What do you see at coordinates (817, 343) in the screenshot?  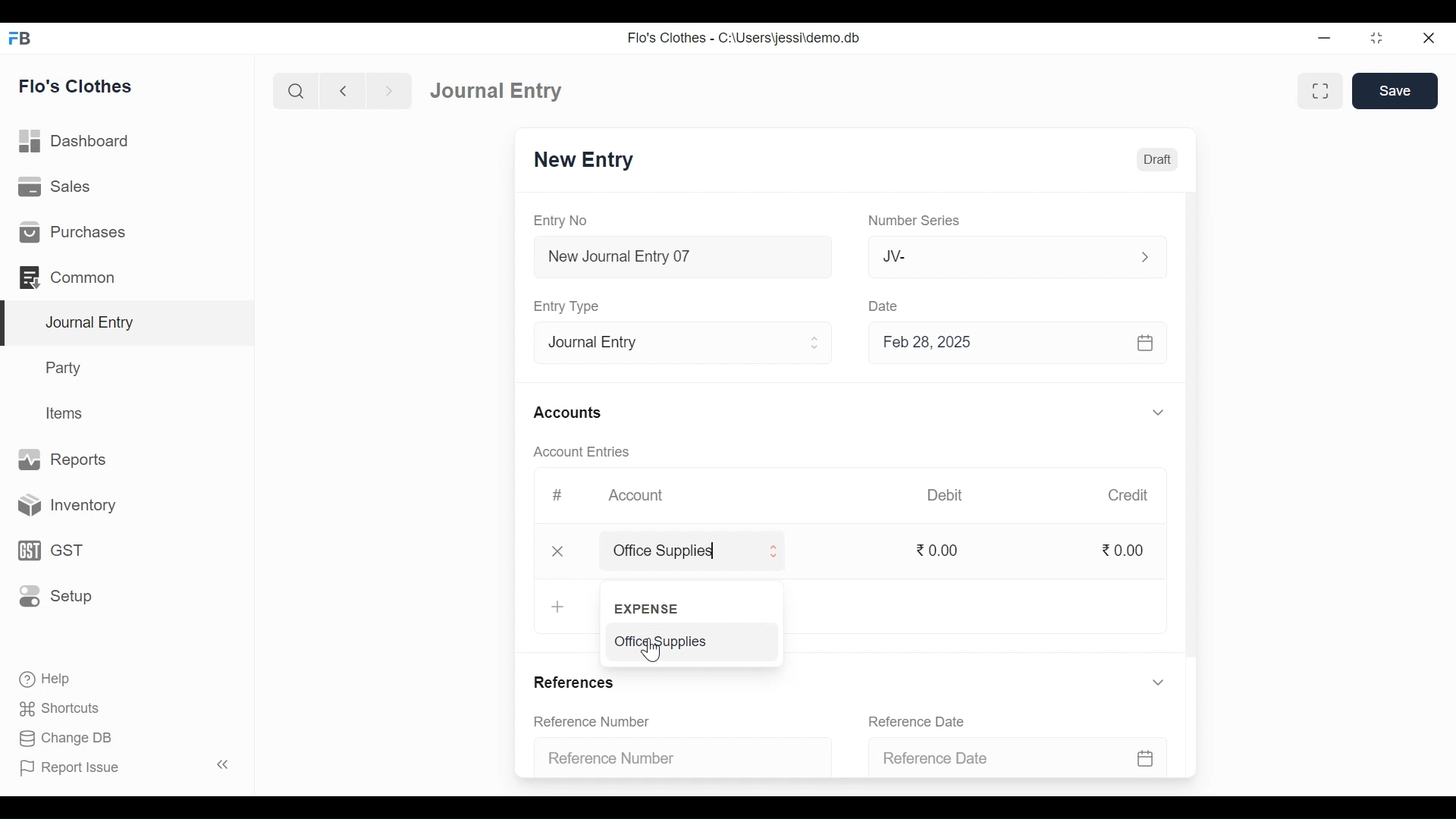 I see `Expand` at bounding box center [817, 343].